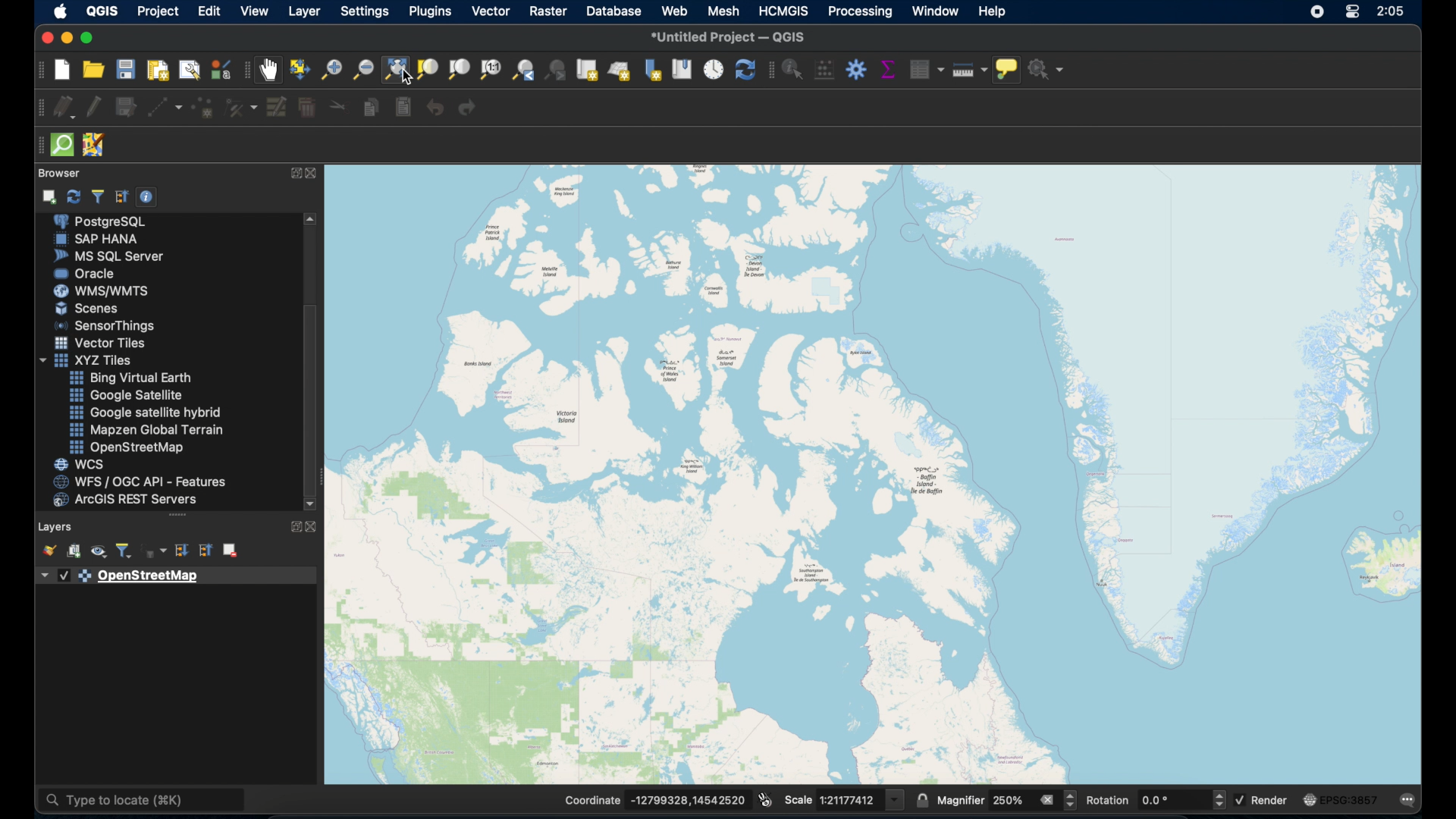 The image size is (1456, 819). What do you see at coordinates (744, 68) in the screenshot?
I see `refresh` at bounding box center [744, 68].